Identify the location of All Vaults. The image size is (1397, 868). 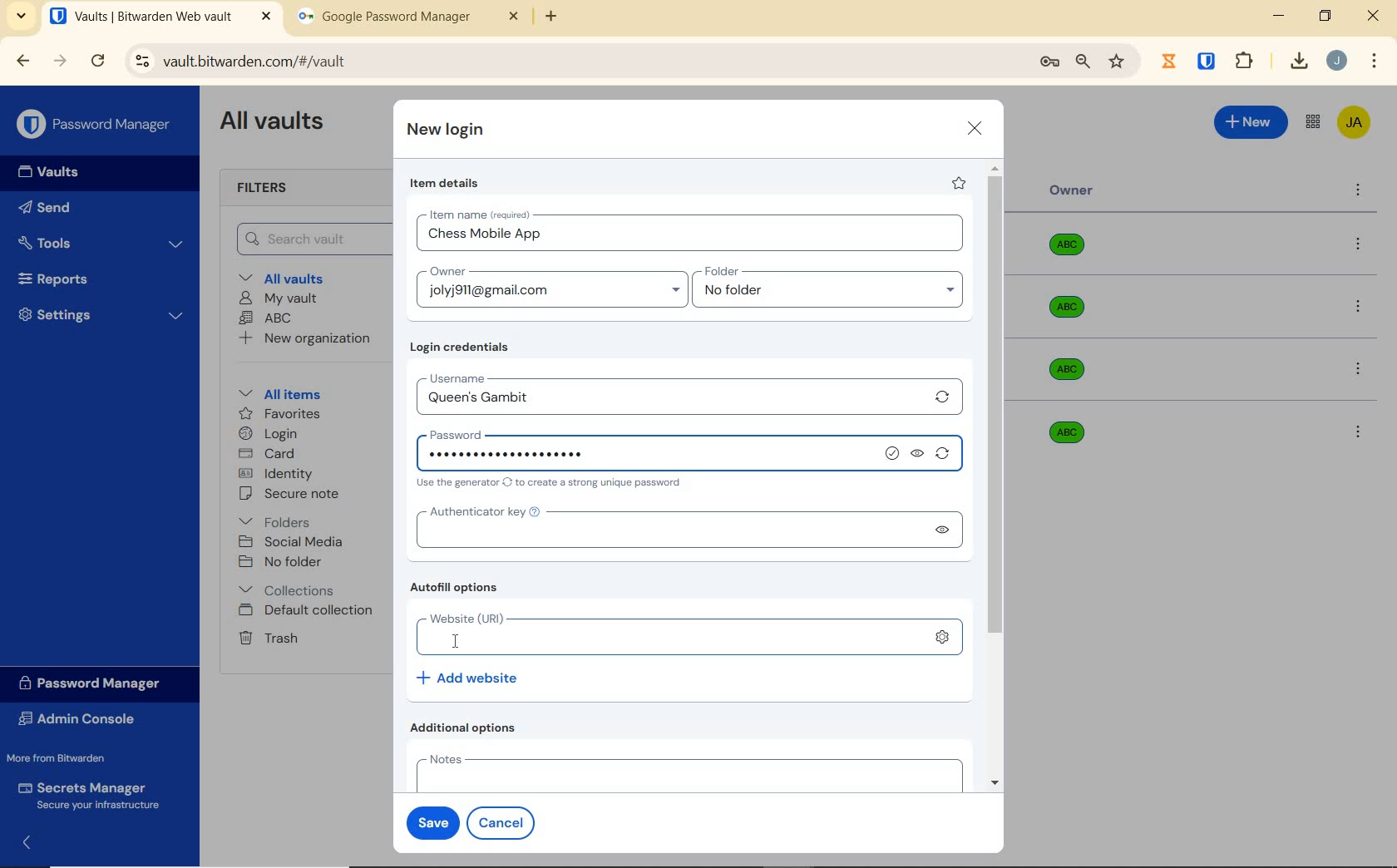
(276, 123).